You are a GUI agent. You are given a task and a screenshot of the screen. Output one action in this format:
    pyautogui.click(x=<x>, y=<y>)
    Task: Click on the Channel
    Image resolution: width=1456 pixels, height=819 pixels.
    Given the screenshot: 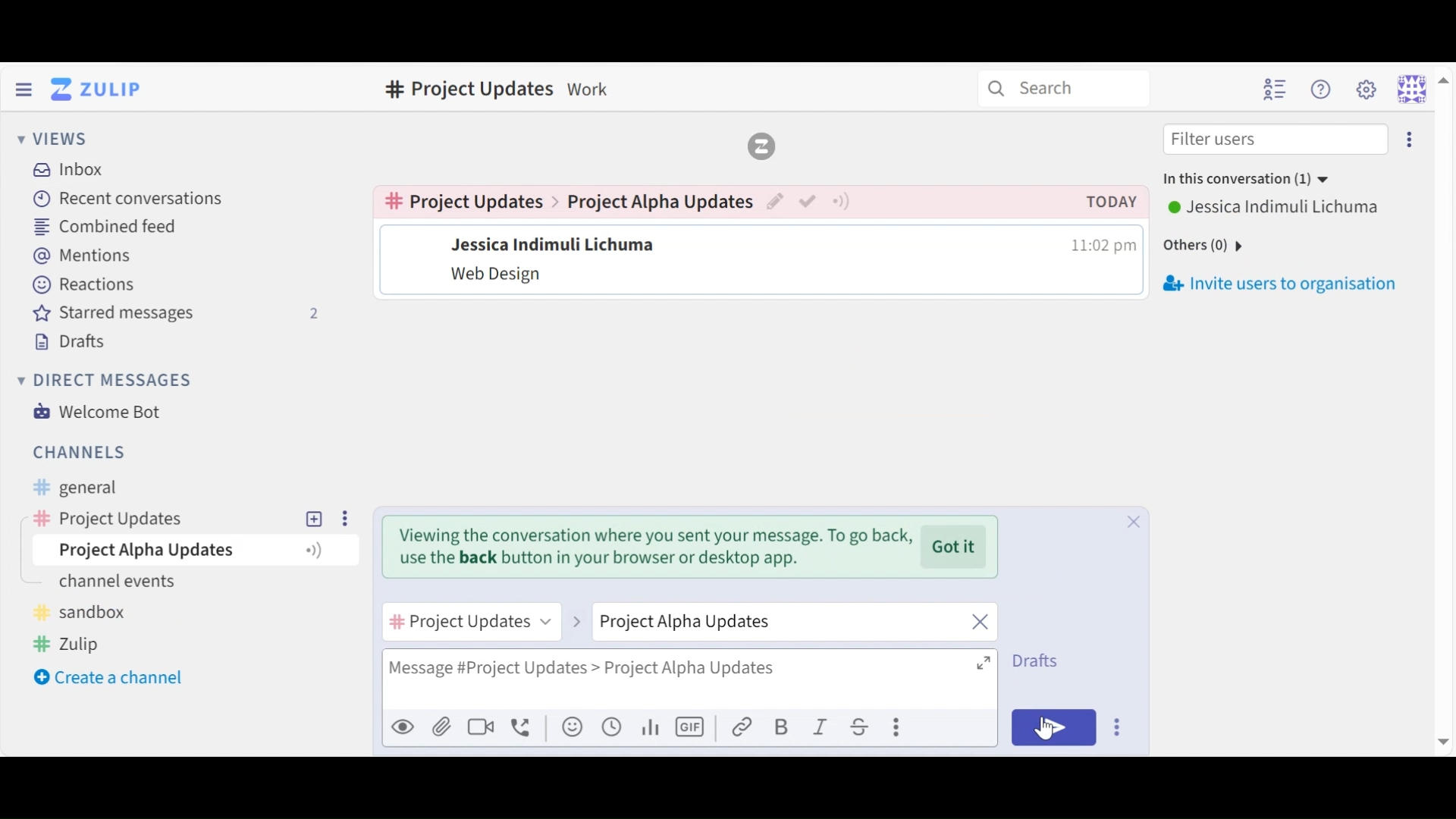 What is the action you would take?
    pyautogui.click(x=155, y=518)
    